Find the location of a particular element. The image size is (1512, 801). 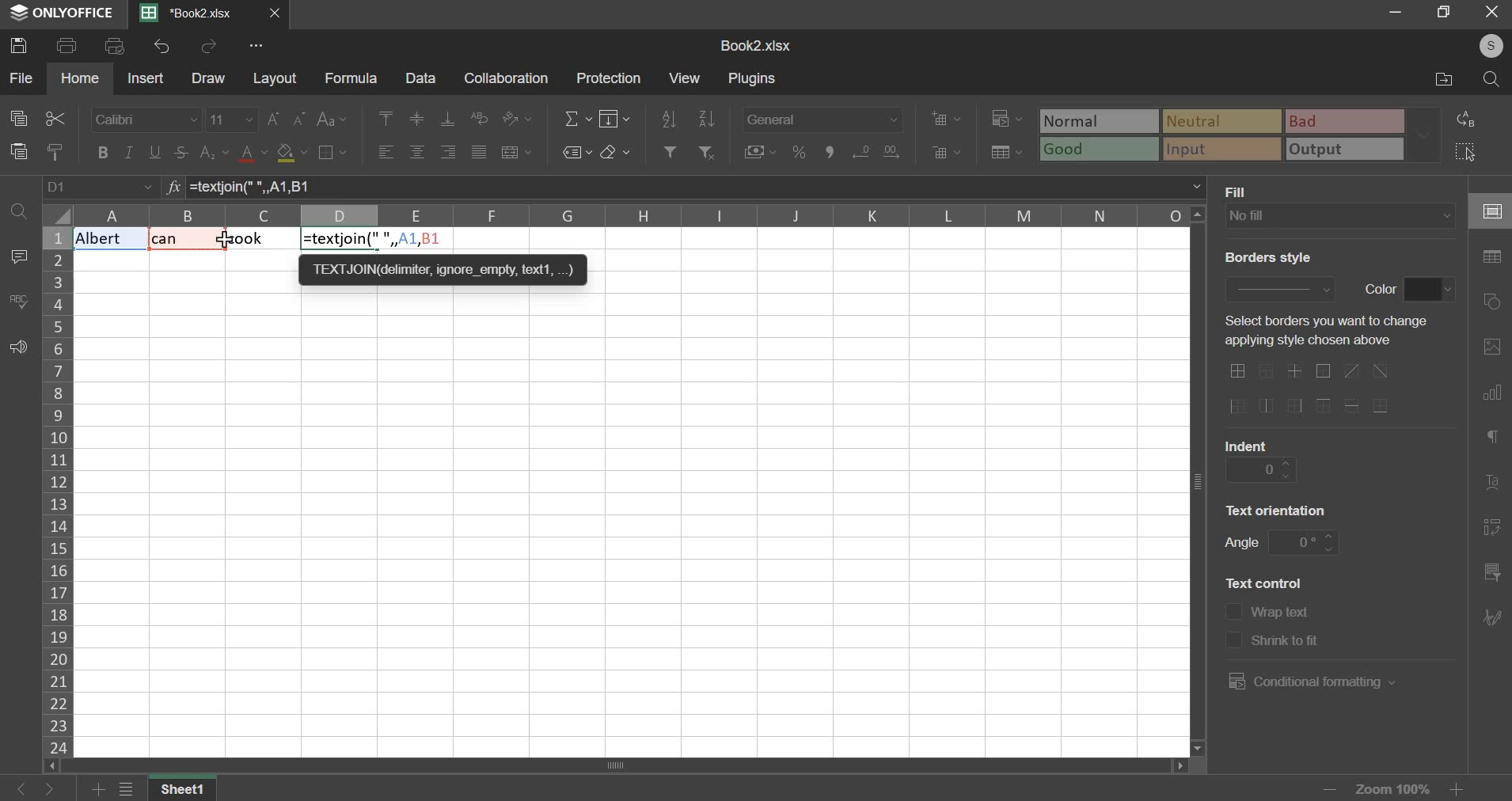

TEXTJON deter, ignore empty text, is located at coordinates (443, 268).